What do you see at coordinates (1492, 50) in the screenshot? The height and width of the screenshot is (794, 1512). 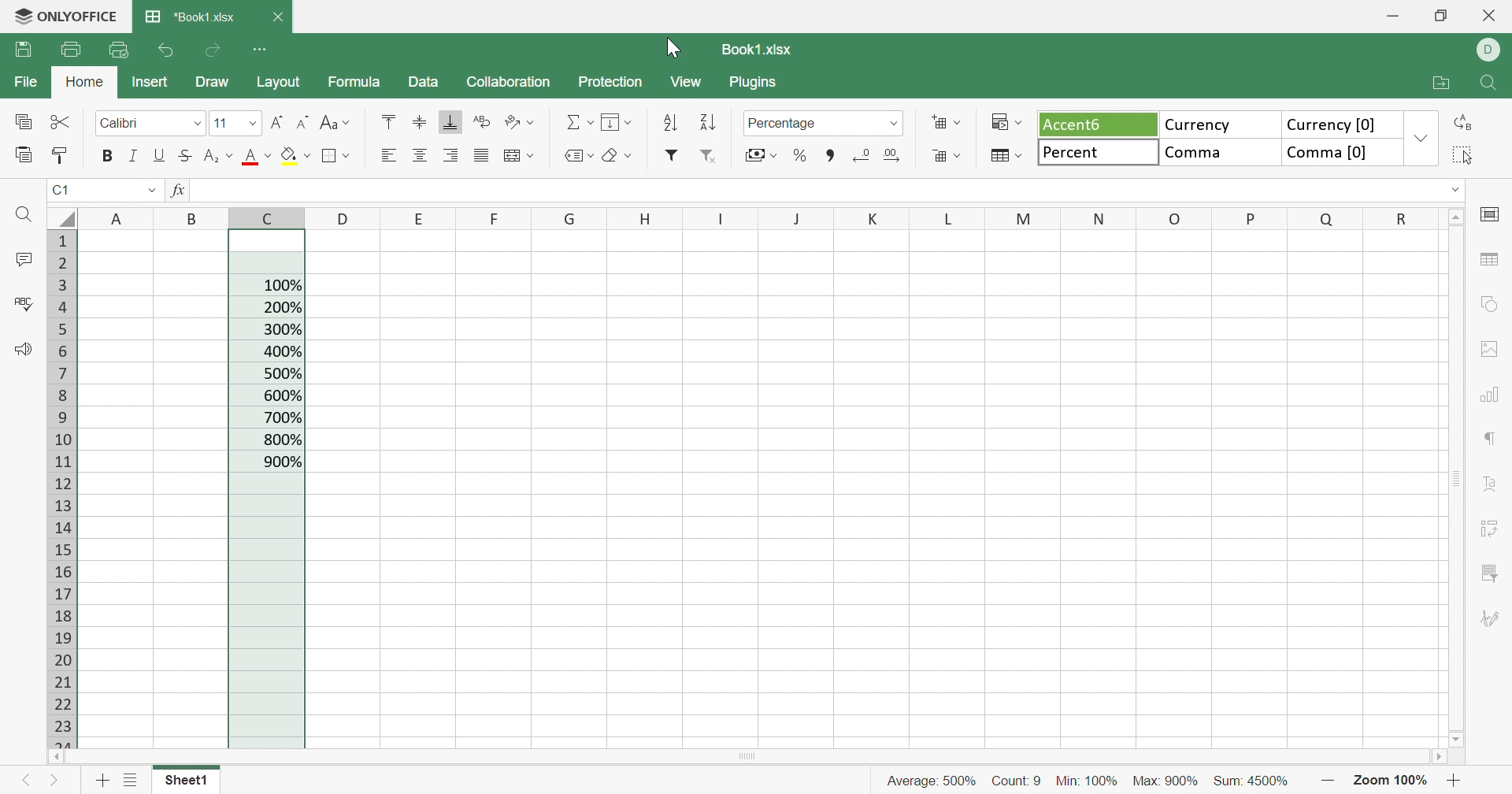 I see `D` at bounding box center [1492, 50].